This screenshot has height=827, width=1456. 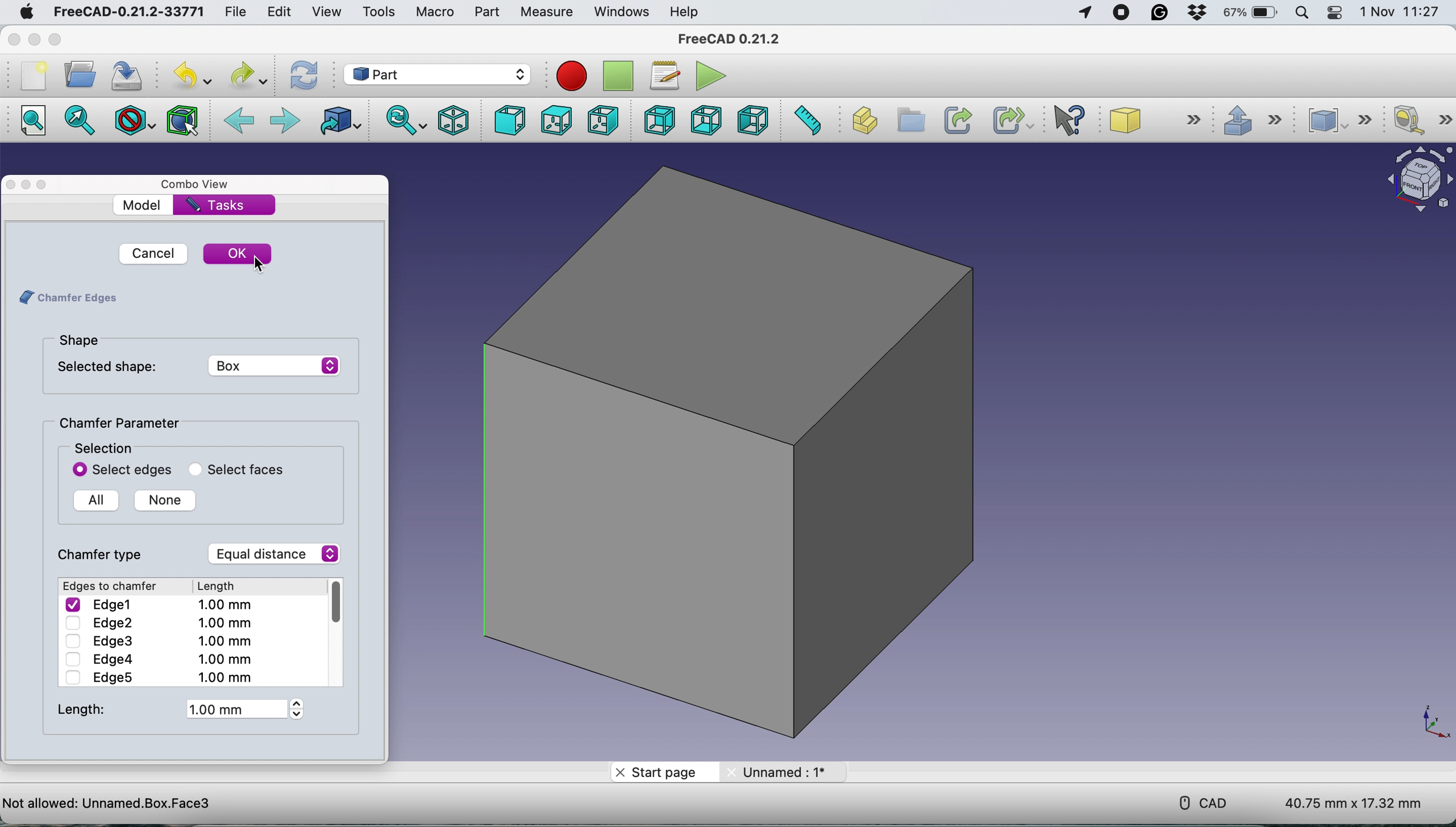 What do you see at coordinates (911, 120) in the screenshot?
I see `create group` at bounding box center [911, 120].